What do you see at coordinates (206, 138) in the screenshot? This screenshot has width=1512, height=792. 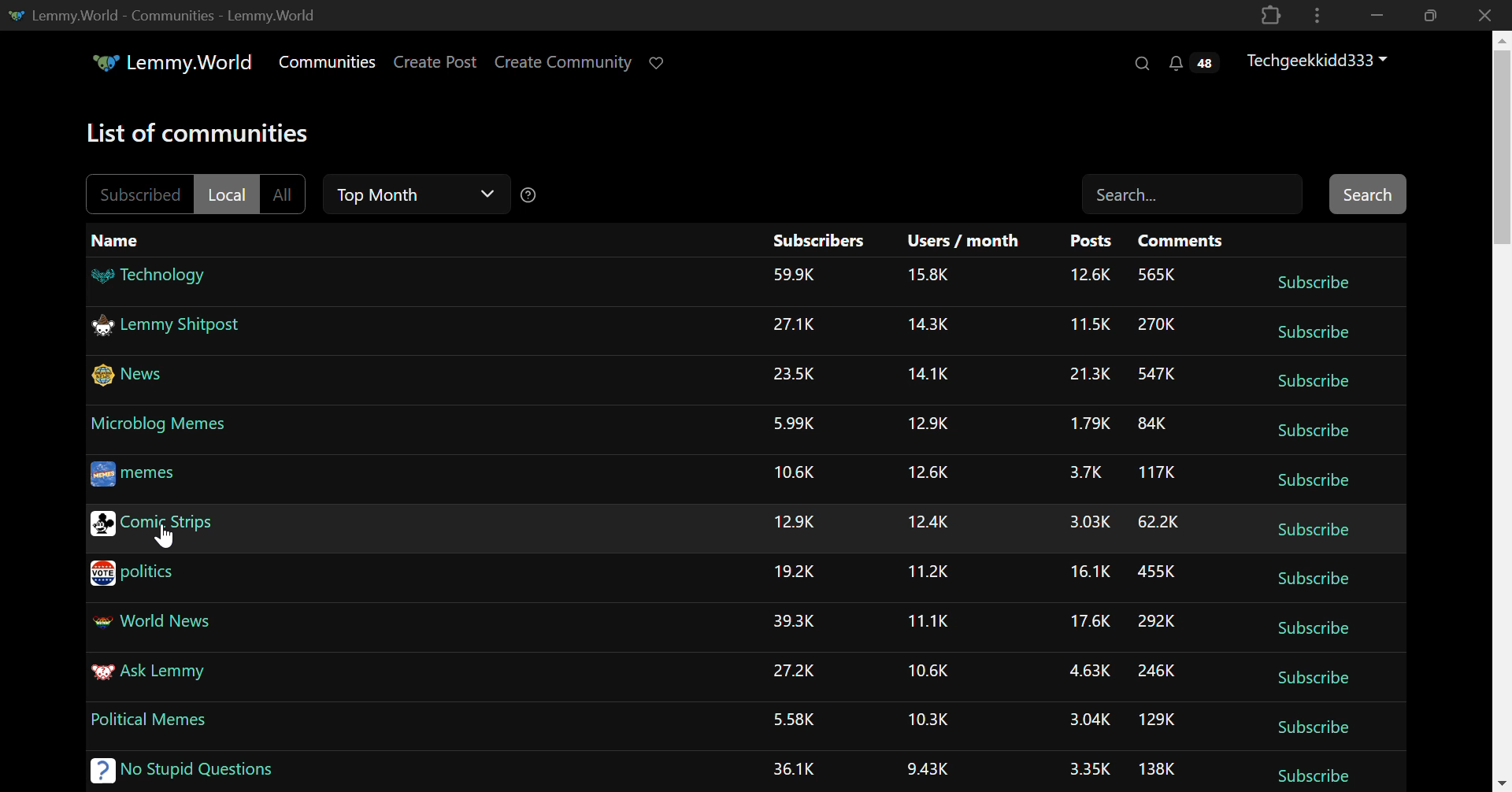 I see `List of communities` at bounding box center [206, 138].